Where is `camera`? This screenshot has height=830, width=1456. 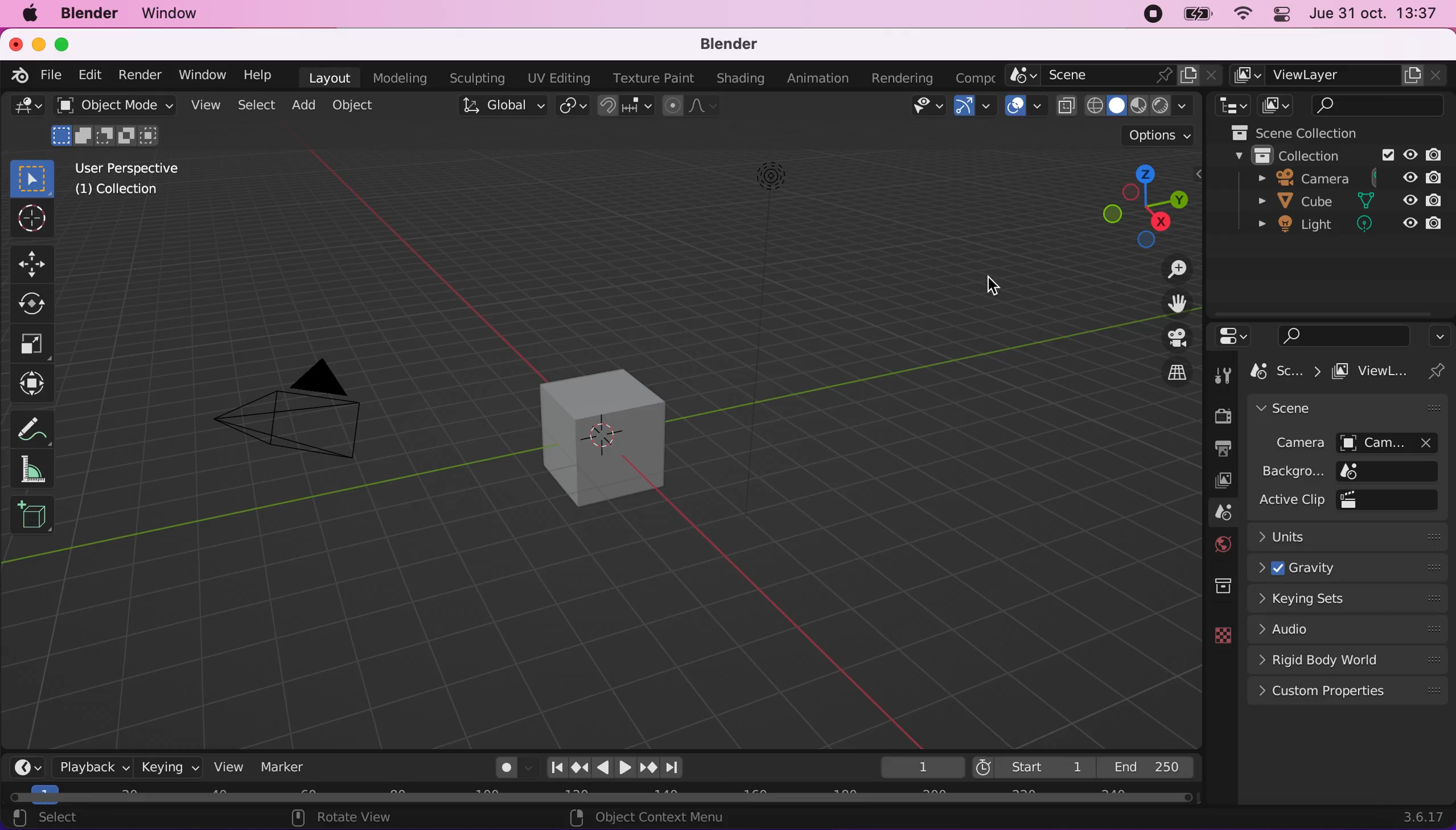
camera is located at coordinates (1343, 176).